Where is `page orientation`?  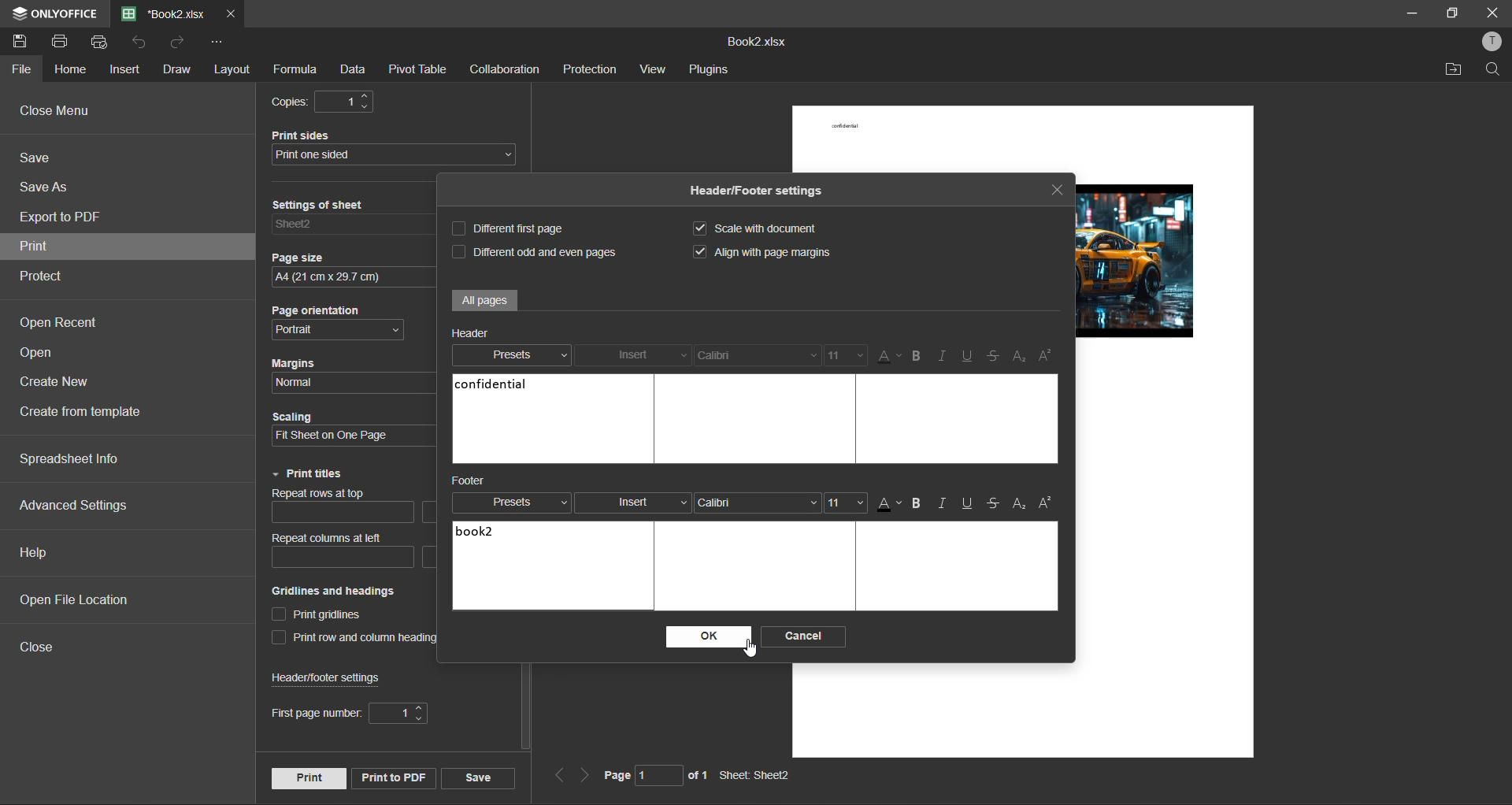 page orientation is located at coordinates (337, 332).